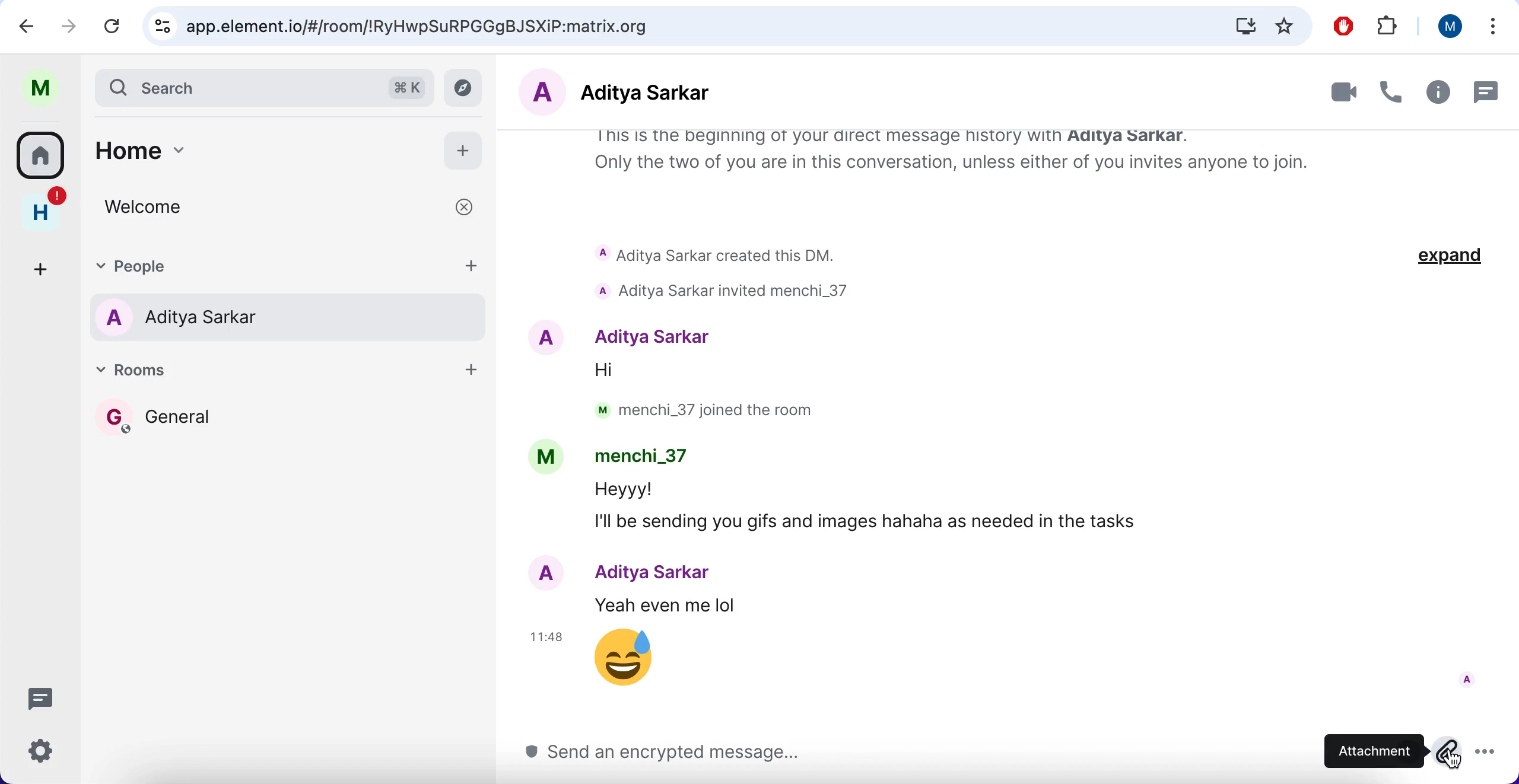 This screenshot has height=784, width=1519. What do you see at coordinates (722, 294) in the screenshot?
I see `aditya sarkar invited menchi_37` at bounding box center [722, 294].